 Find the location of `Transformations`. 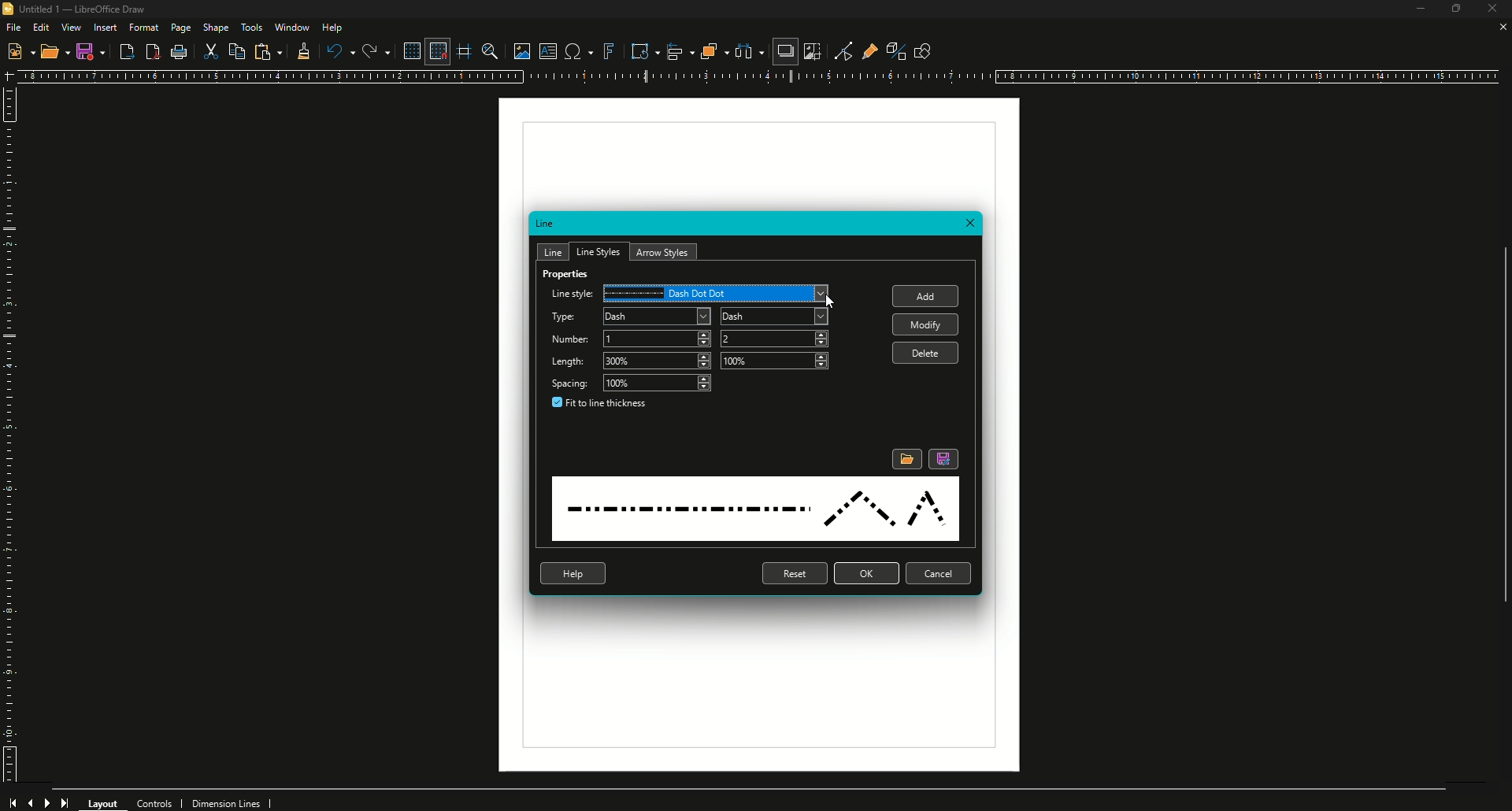

Transformations is located at coordinates (638, 50).